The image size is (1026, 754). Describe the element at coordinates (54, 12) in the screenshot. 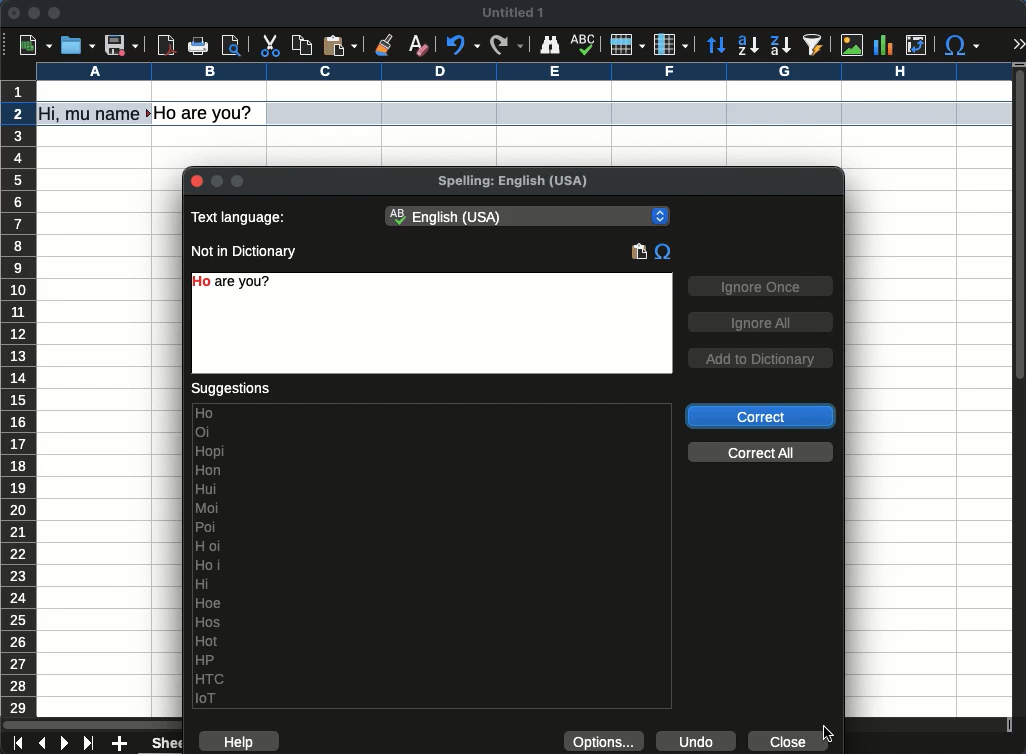

I see `maximize` at that location.